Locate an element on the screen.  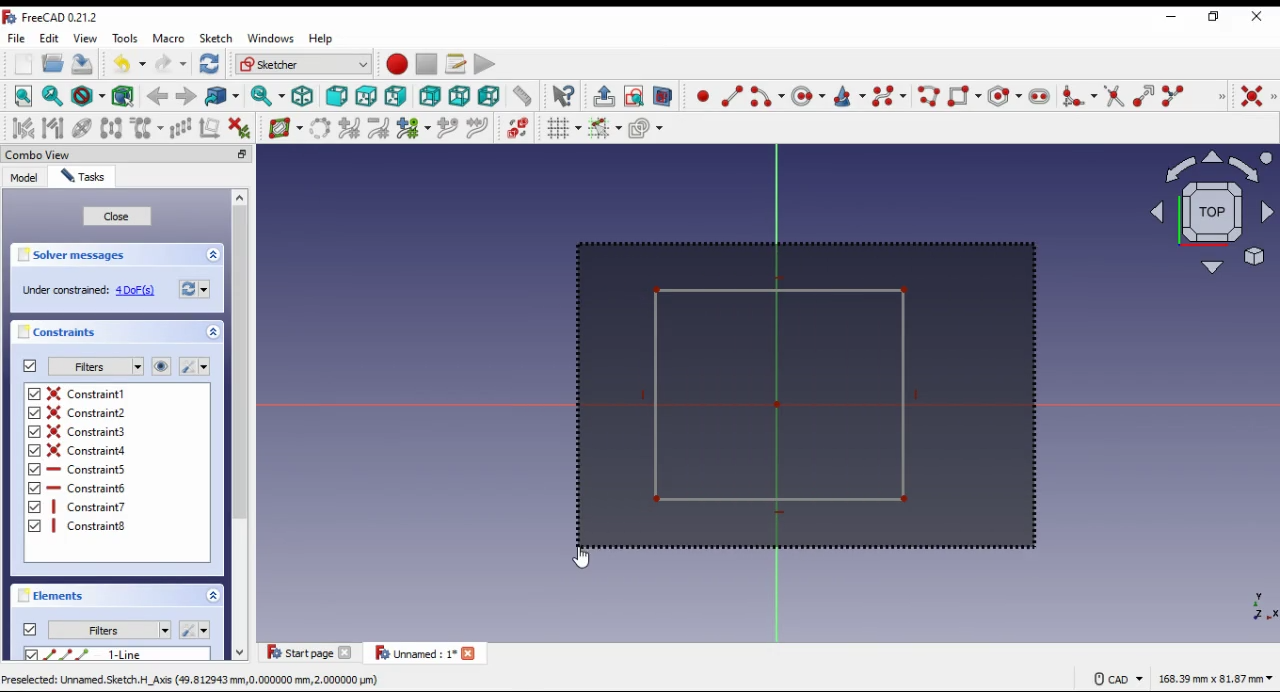
  1-line is located at coordinates (129, 654).